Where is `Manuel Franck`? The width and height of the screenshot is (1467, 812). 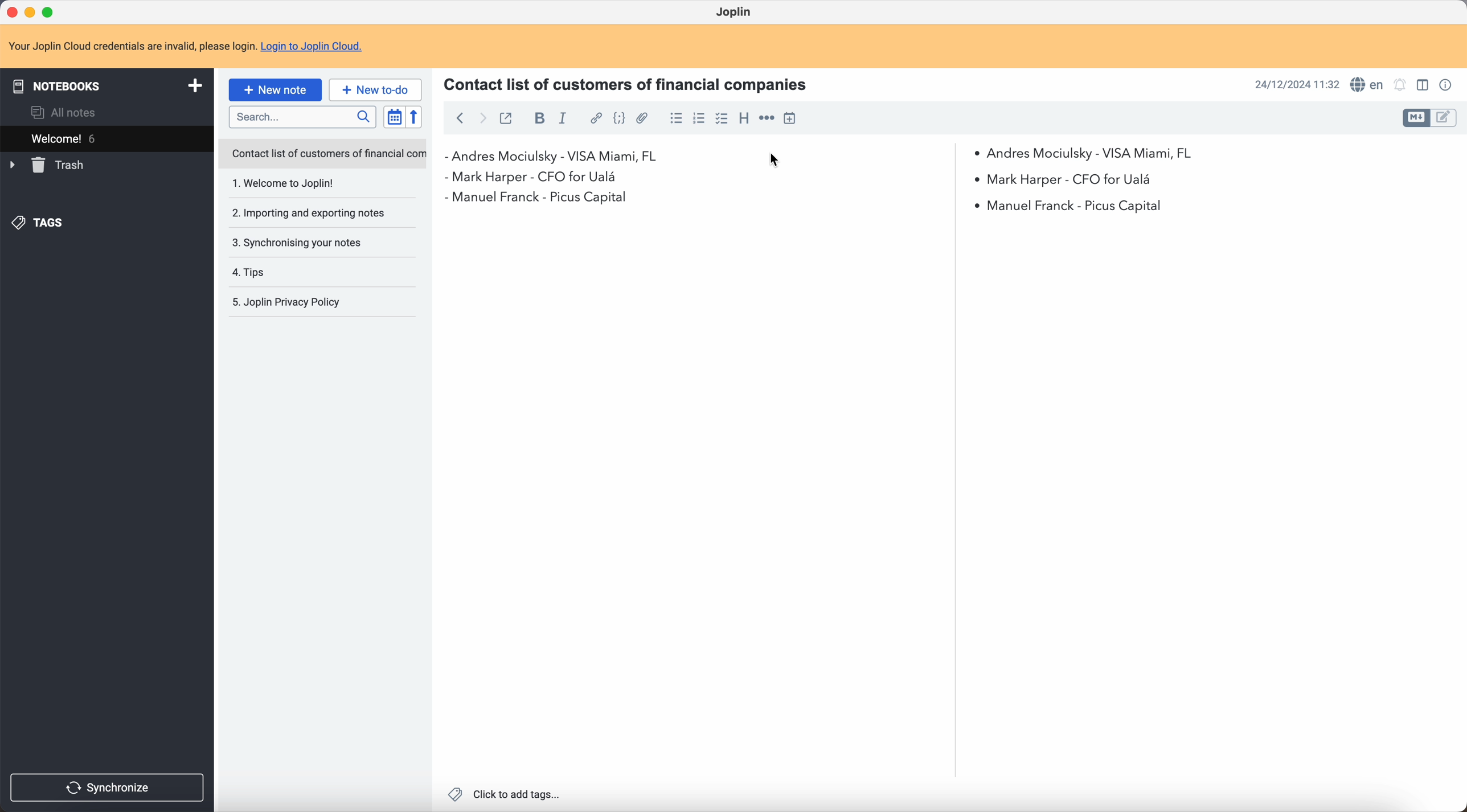
Manuel Franck is located at coordinates (806, 203).